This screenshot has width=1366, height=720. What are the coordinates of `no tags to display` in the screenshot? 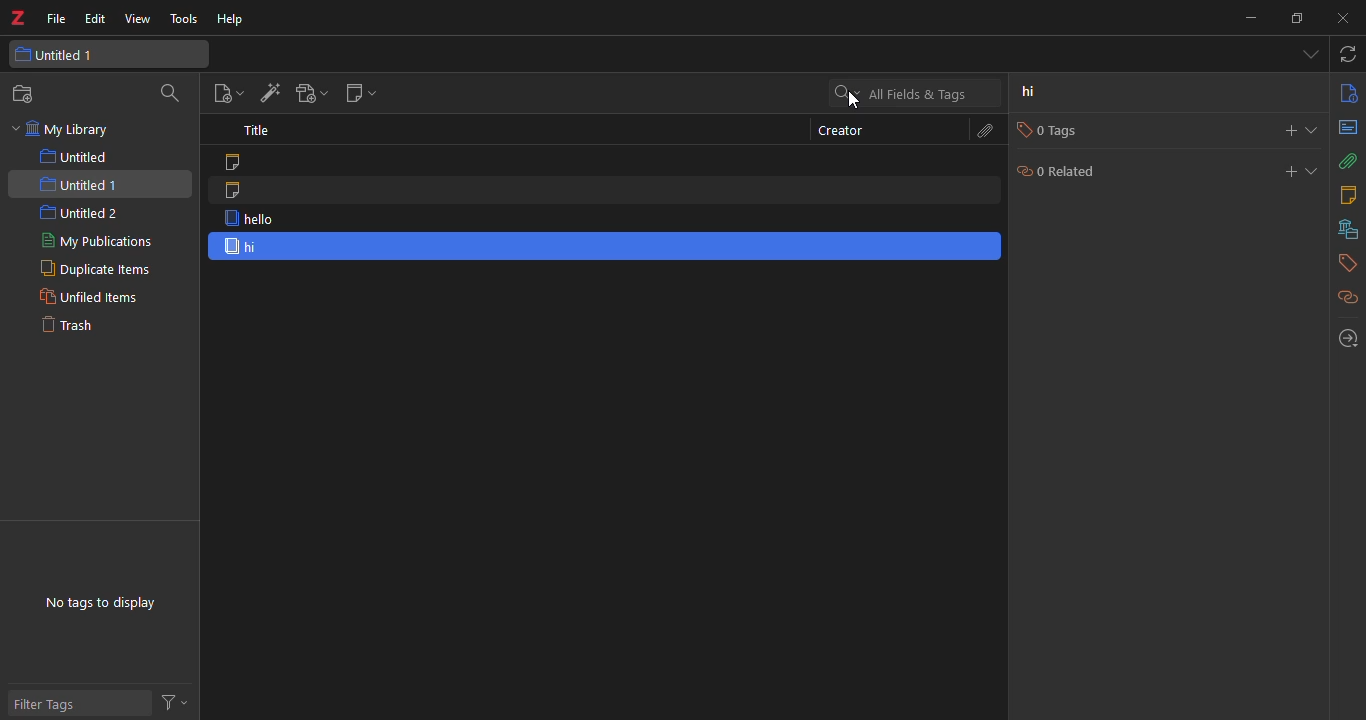 It's located at (100, 604).